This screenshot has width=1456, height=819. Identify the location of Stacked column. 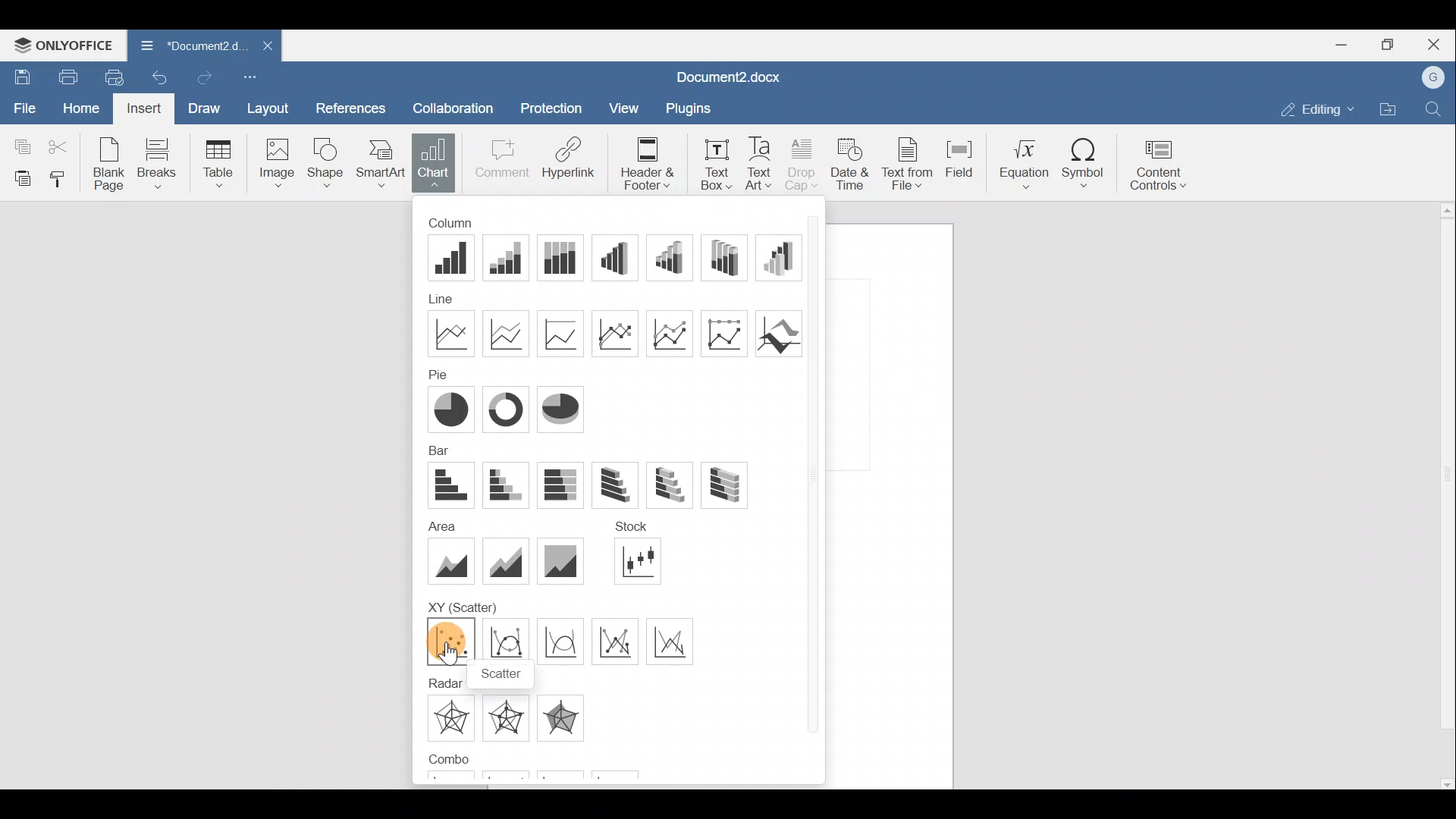
(510, 258).